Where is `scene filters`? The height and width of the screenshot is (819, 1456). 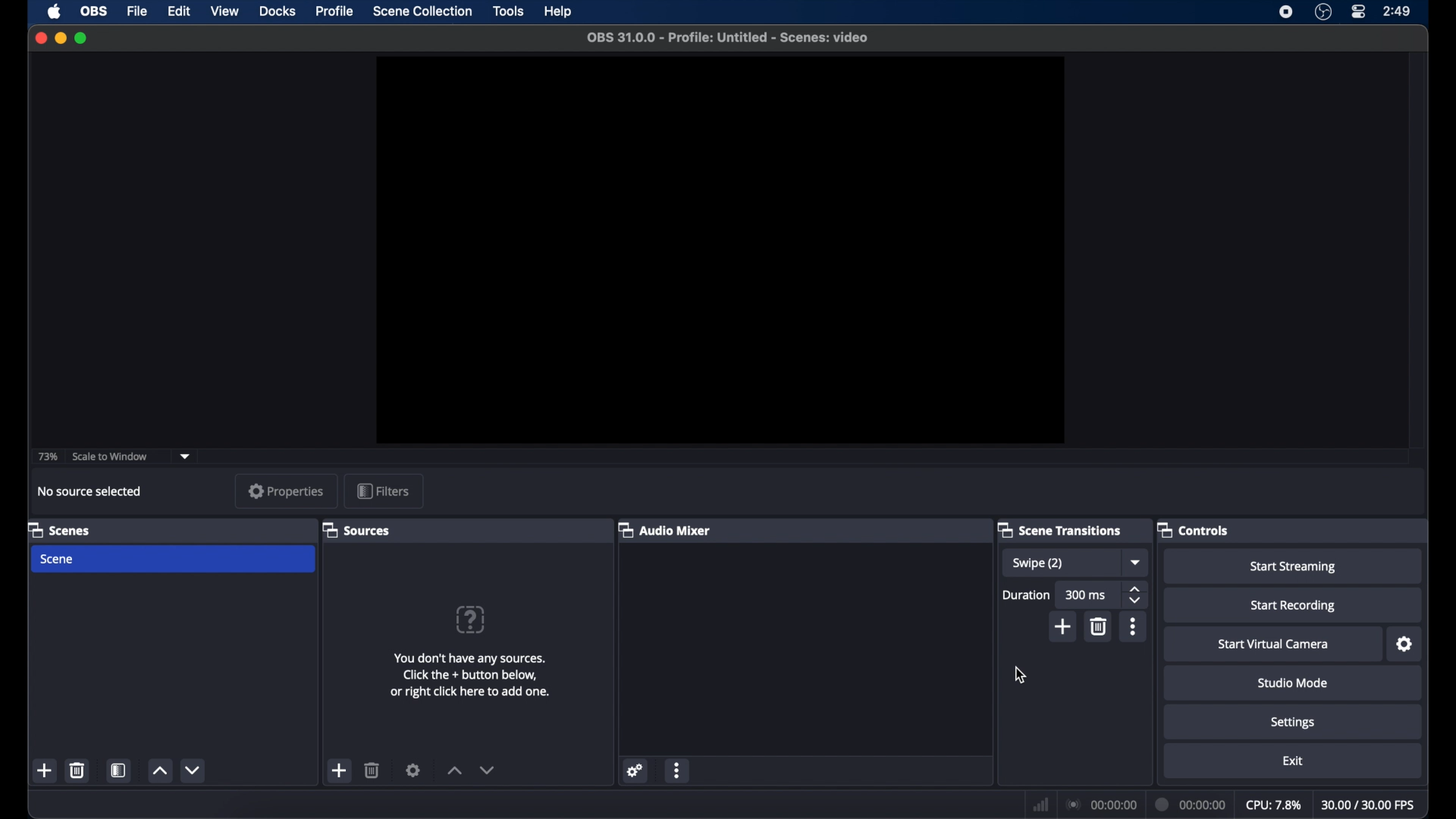 scene filters is located at coordinates (118, 771).